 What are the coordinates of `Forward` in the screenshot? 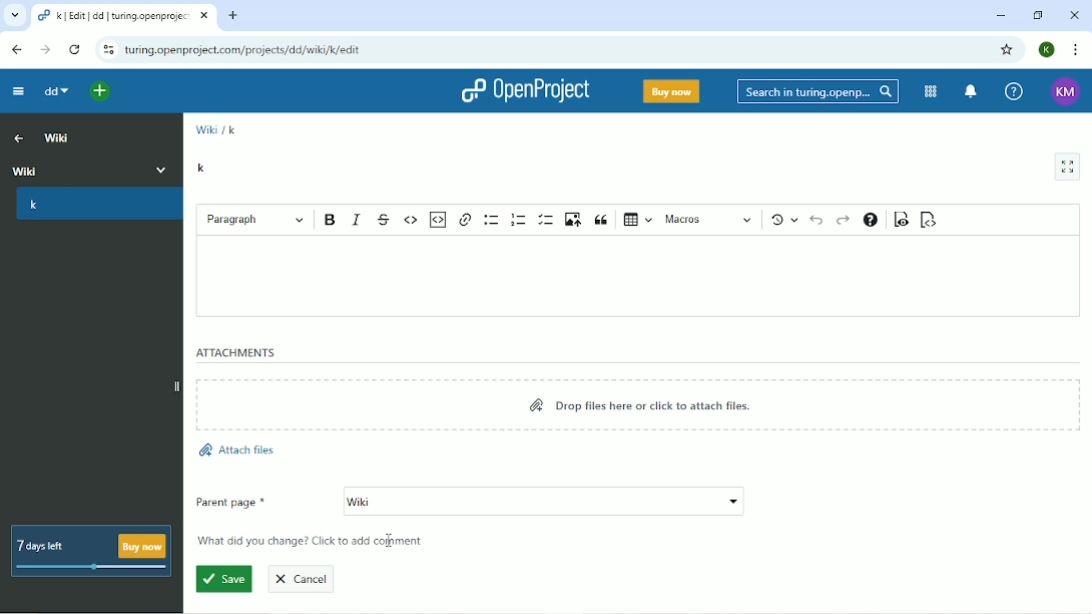 It's located at (46, 49).